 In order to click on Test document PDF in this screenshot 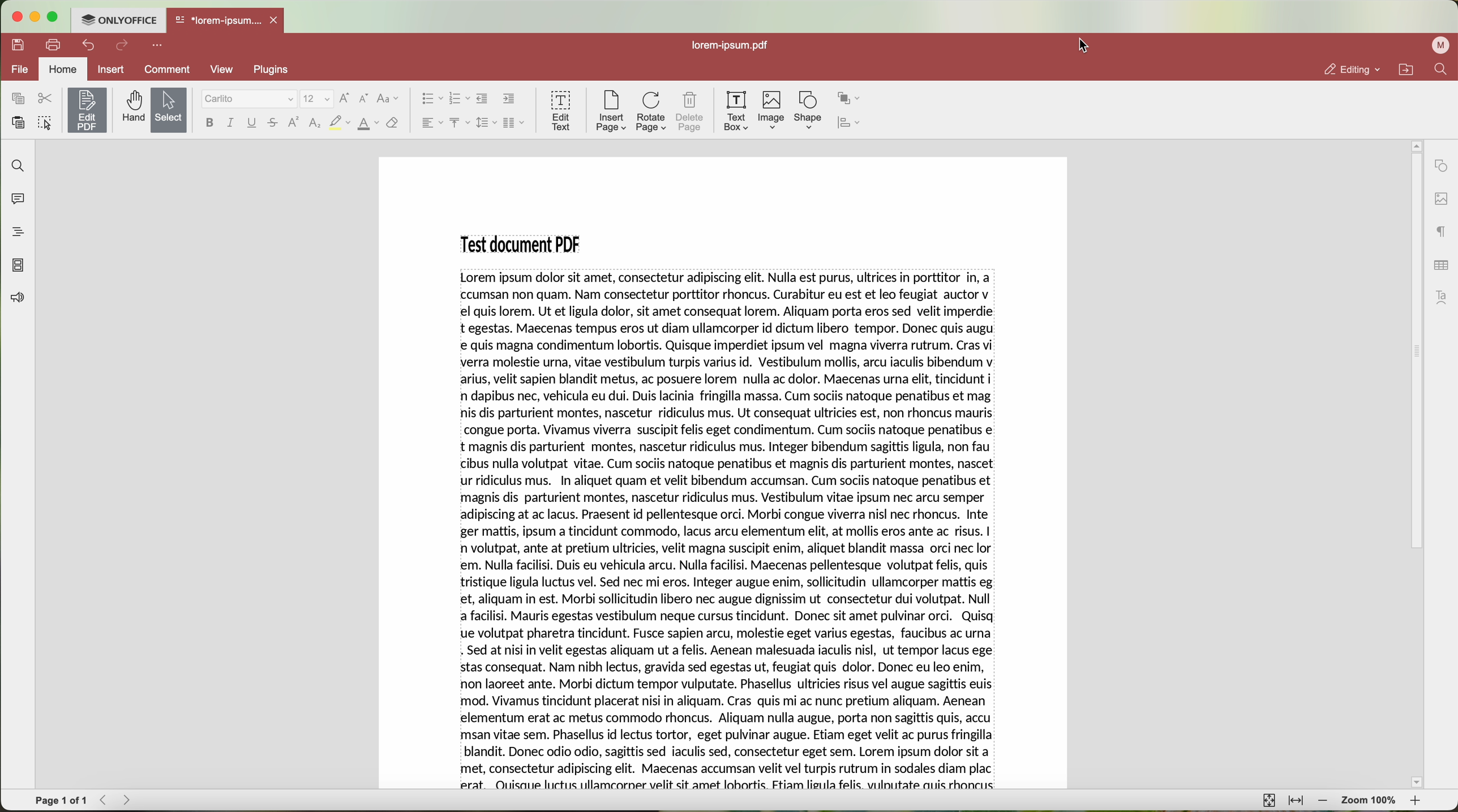, I will do `click(524, 244)`.